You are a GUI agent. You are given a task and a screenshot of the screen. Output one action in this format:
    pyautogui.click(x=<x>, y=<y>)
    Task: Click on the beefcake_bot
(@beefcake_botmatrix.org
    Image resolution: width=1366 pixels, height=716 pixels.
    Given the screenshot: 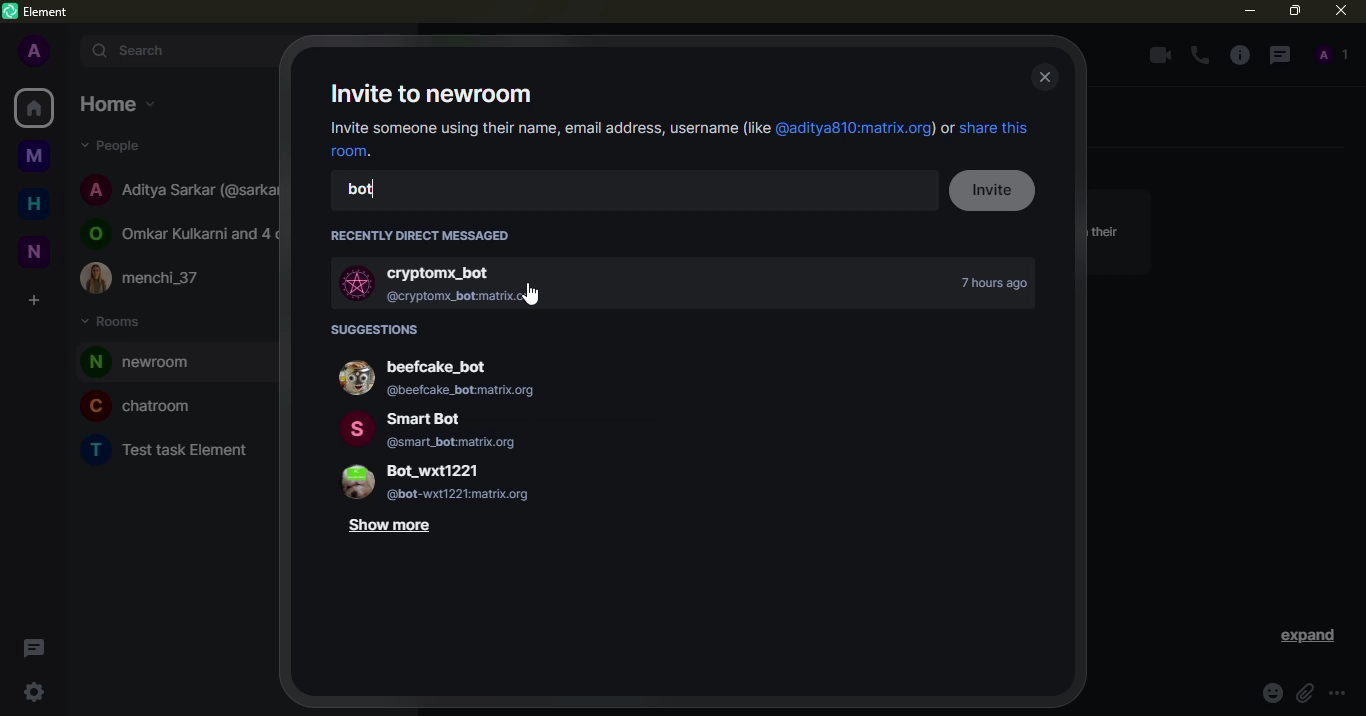 What is the action you would take?
    pyautogui.click(x=441, y=378)
    